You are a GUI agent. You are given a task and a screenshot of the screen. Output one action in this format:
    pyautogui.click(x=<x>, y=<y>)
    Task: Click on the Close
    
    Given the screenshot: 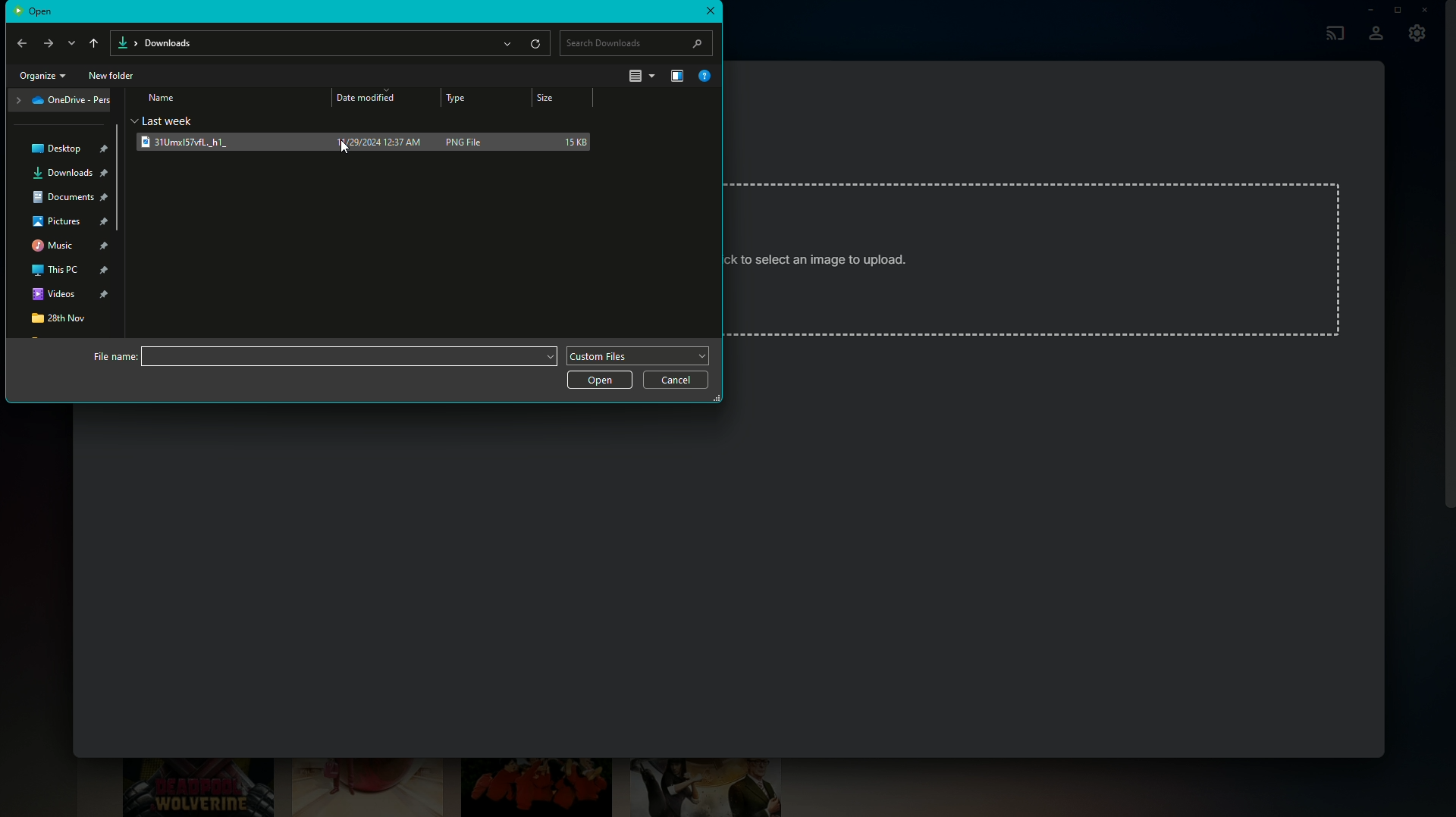 What is the action you would take?
    pyautogui.click(x=711, y=12)
    